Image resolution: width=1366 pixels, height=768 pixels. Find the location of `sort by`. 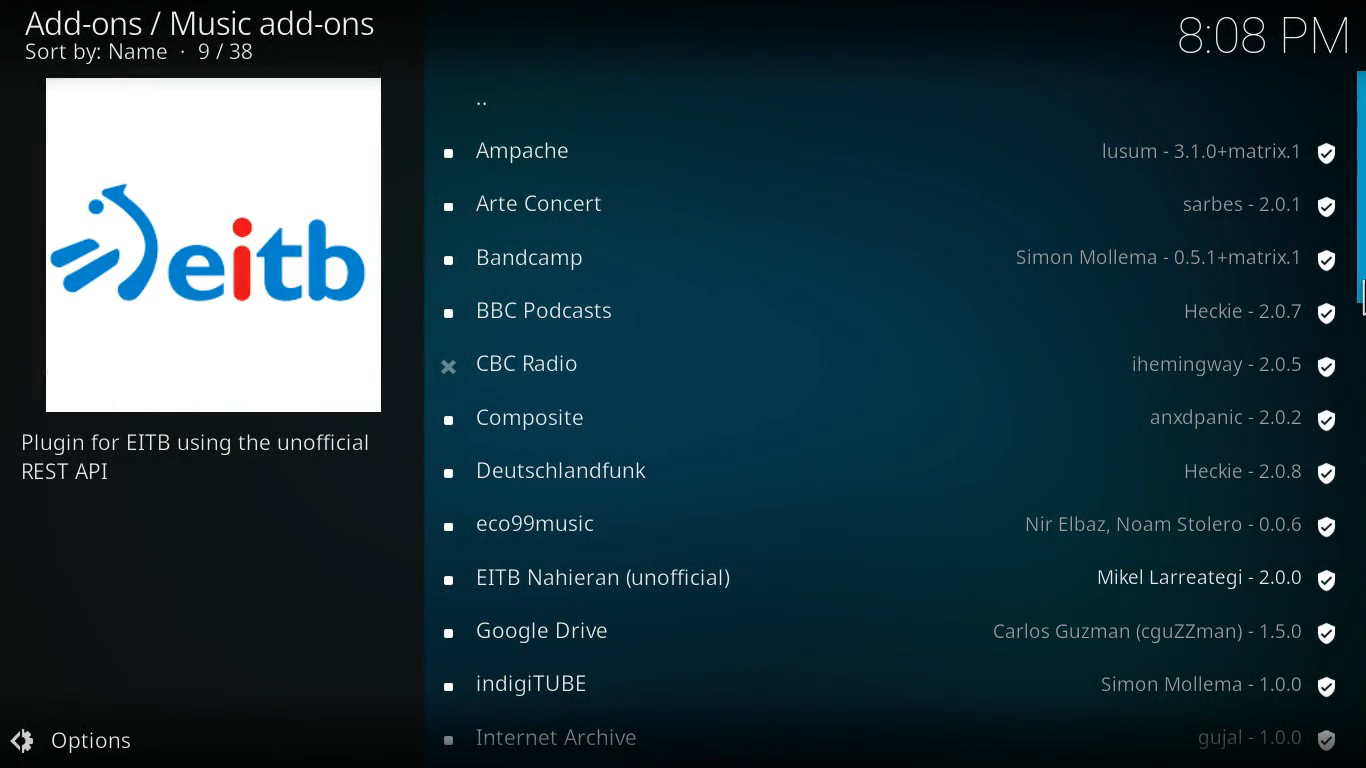

sort by is located at coordinates (153, 54).